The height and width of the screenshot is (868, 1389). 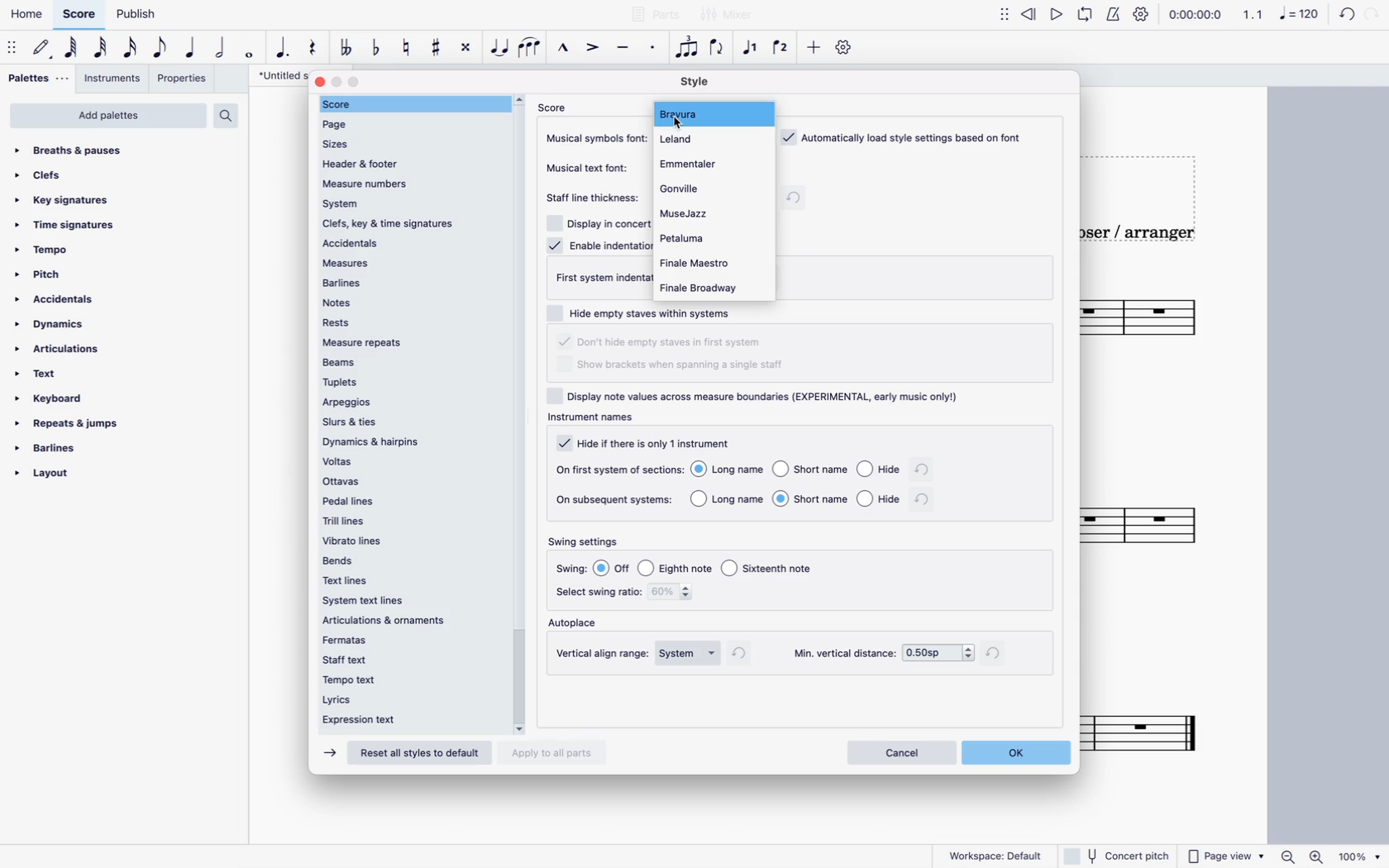 What do you see at coordinates (77, 148) in the screenshot?
I see `breaths & pauses` at bounding box center [77, 148].